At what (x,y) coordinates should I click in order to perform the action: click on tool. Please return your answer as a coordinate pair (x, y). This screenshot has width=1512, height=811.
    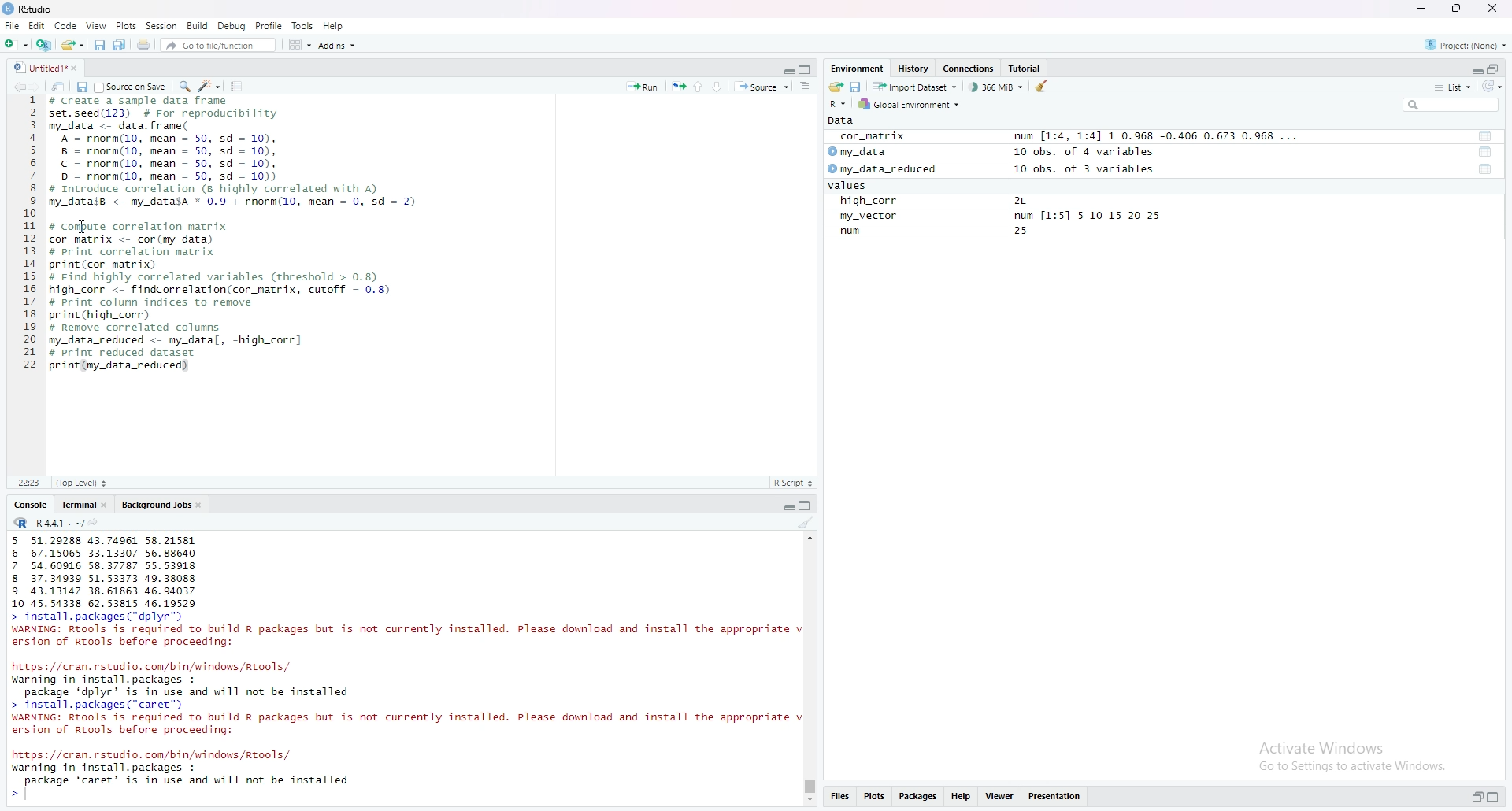
    Looking at the image, I should click on (1487, 135).